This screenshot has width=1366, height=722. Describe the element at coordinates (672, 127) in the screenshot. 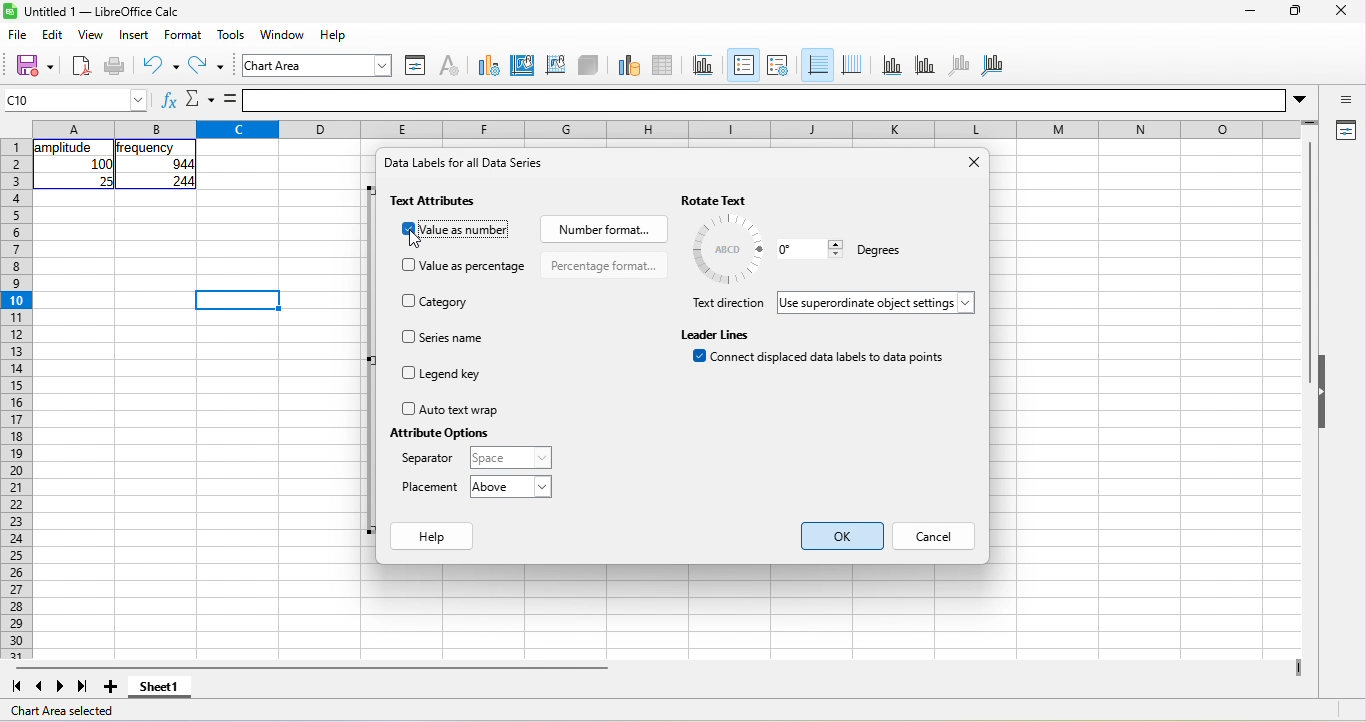

I see `column headings` at that location.